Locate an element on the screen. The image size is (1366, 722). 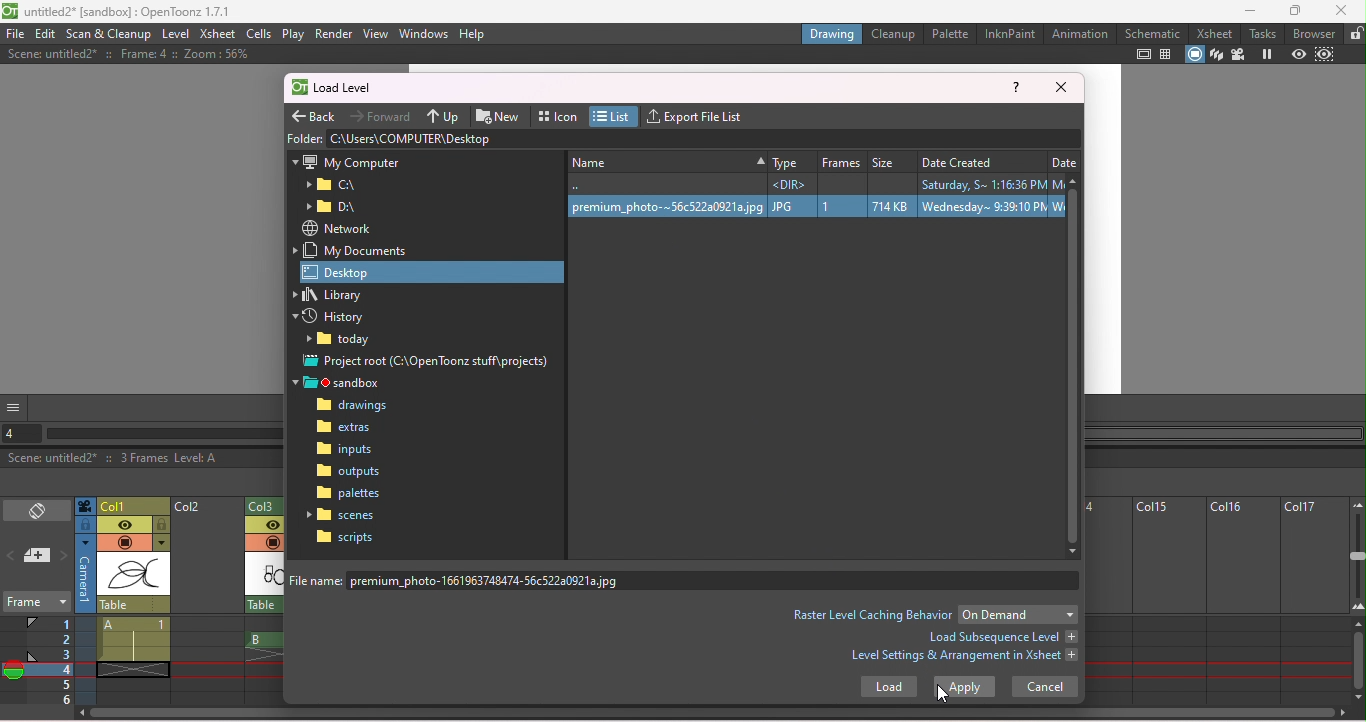
Folder is located at coordinates (304, 137).